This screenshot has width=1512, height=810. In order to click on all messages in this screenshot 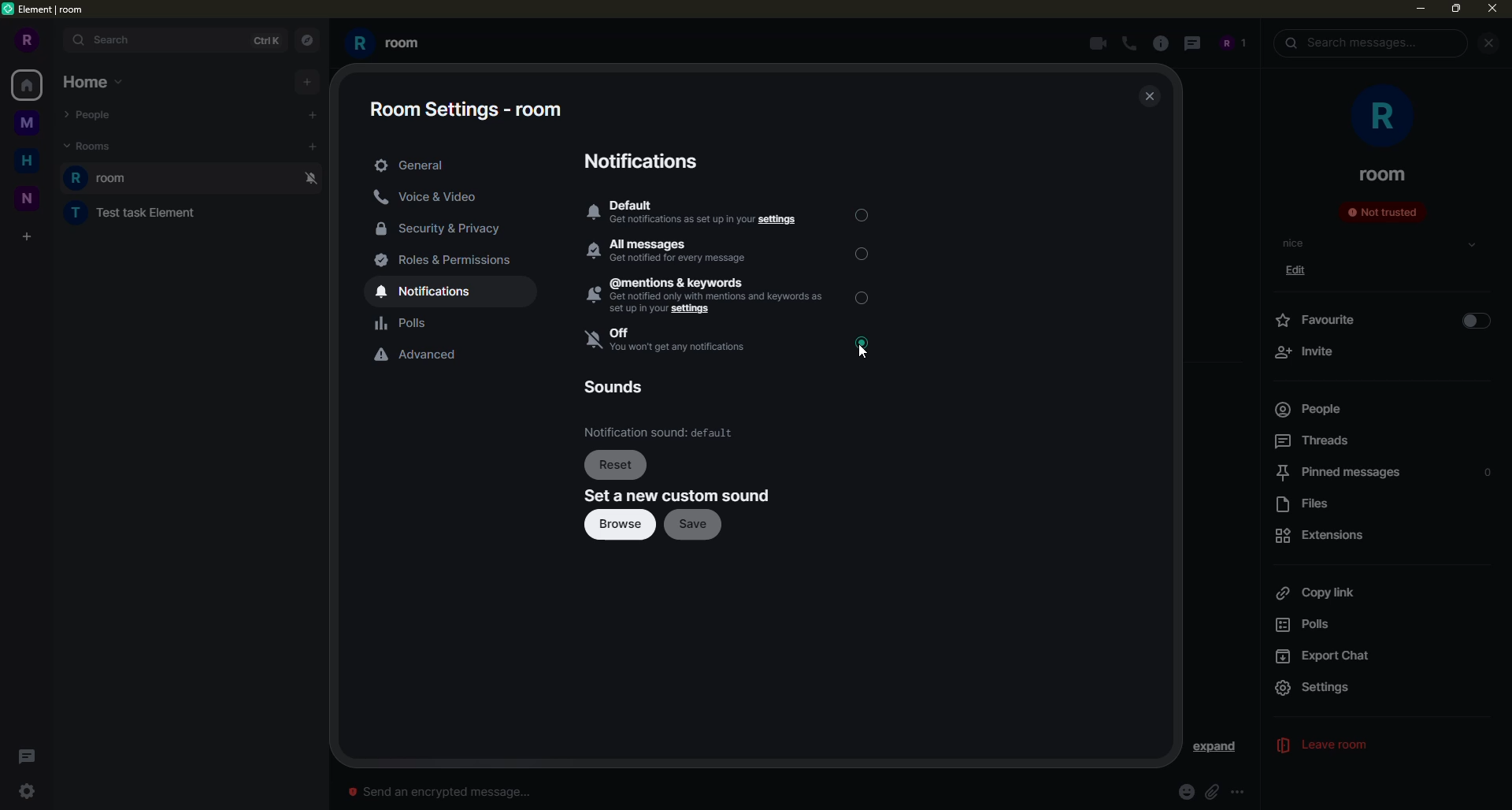, I will do `click(678, 251)`.